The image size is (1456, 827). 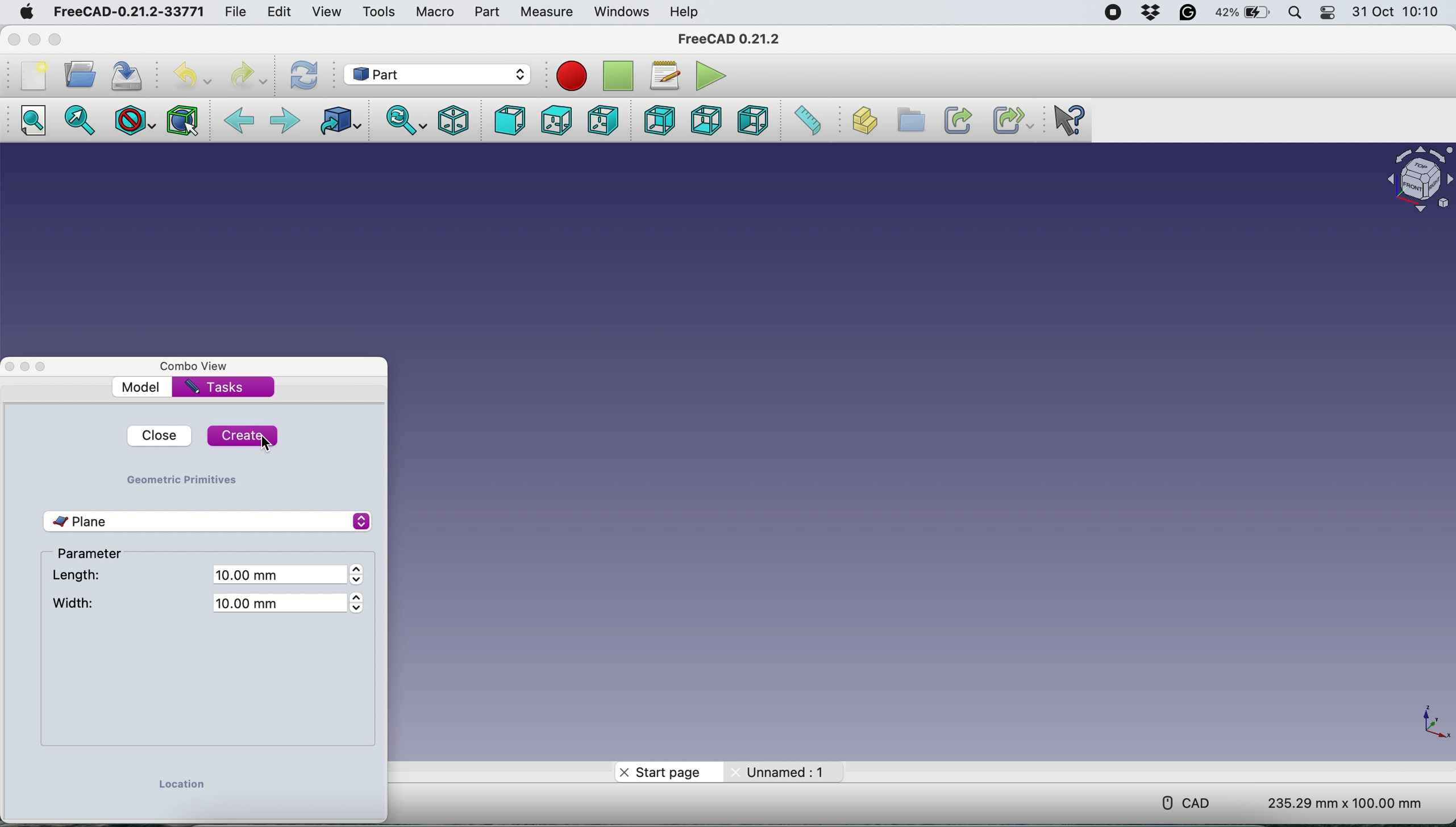 What do you see at coordinates (381, 11) in the screenshot?
I see `Tools` at bounding box center [381, 11].